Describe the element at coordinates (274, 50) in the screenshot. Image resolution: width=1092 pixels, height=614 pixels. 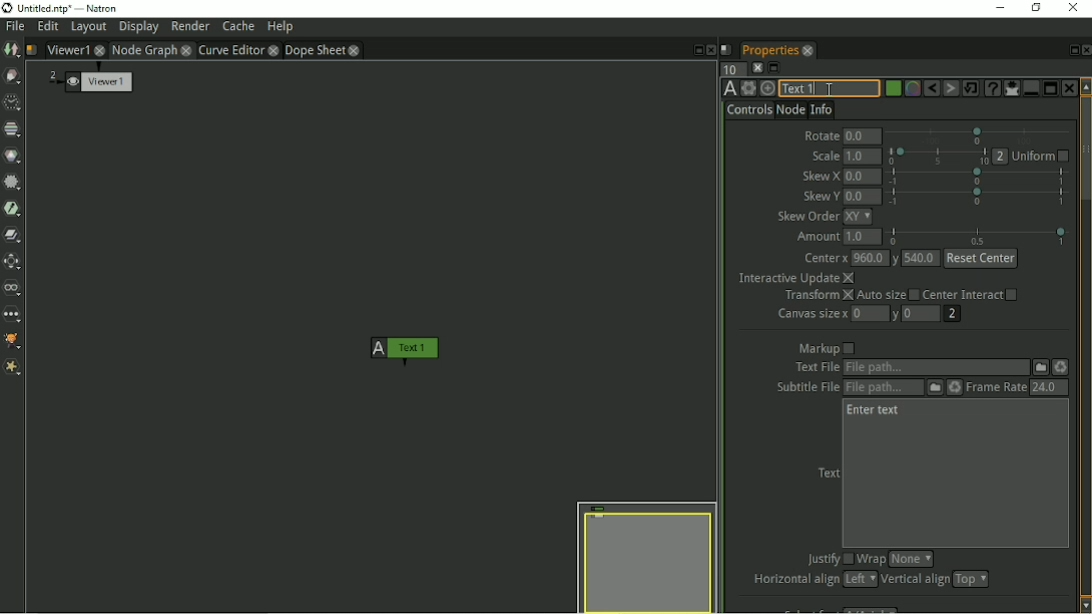
I see `close` at that location.